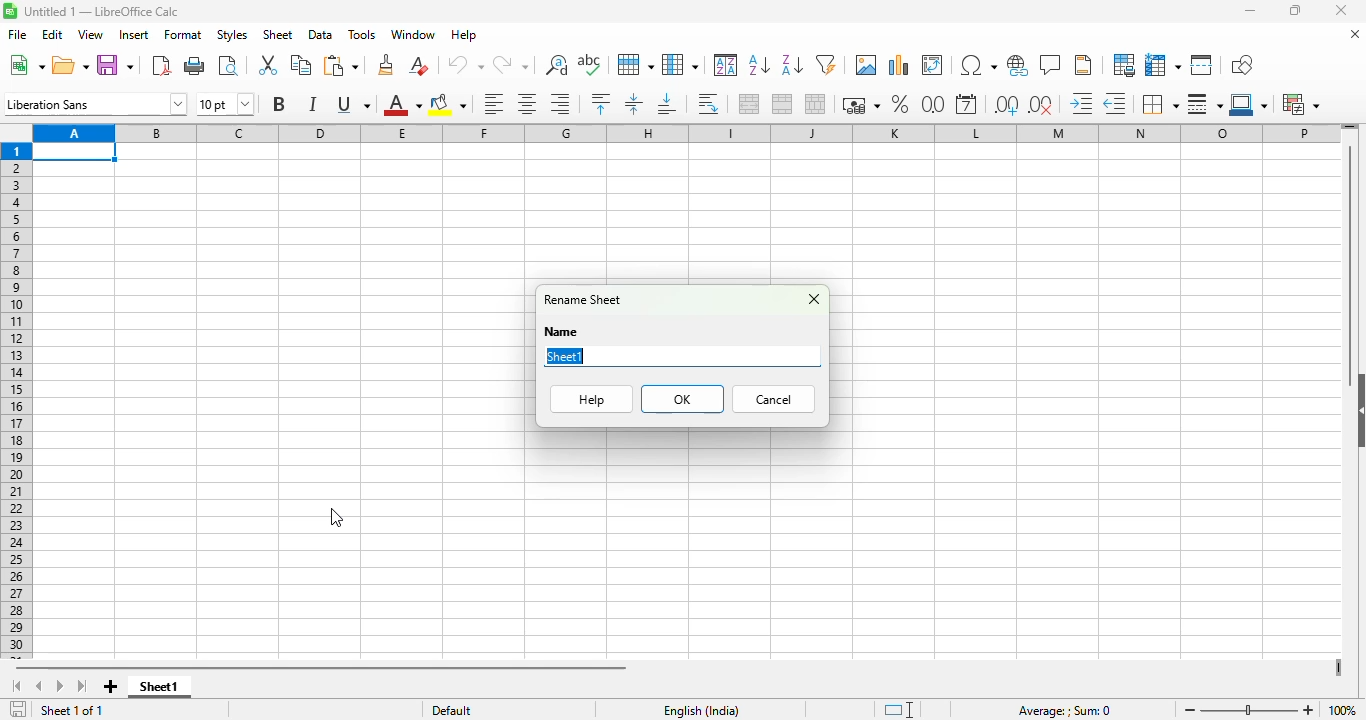  Describe the element at coordinates (687, 132) in the screenshot. I see `columns` at that location.